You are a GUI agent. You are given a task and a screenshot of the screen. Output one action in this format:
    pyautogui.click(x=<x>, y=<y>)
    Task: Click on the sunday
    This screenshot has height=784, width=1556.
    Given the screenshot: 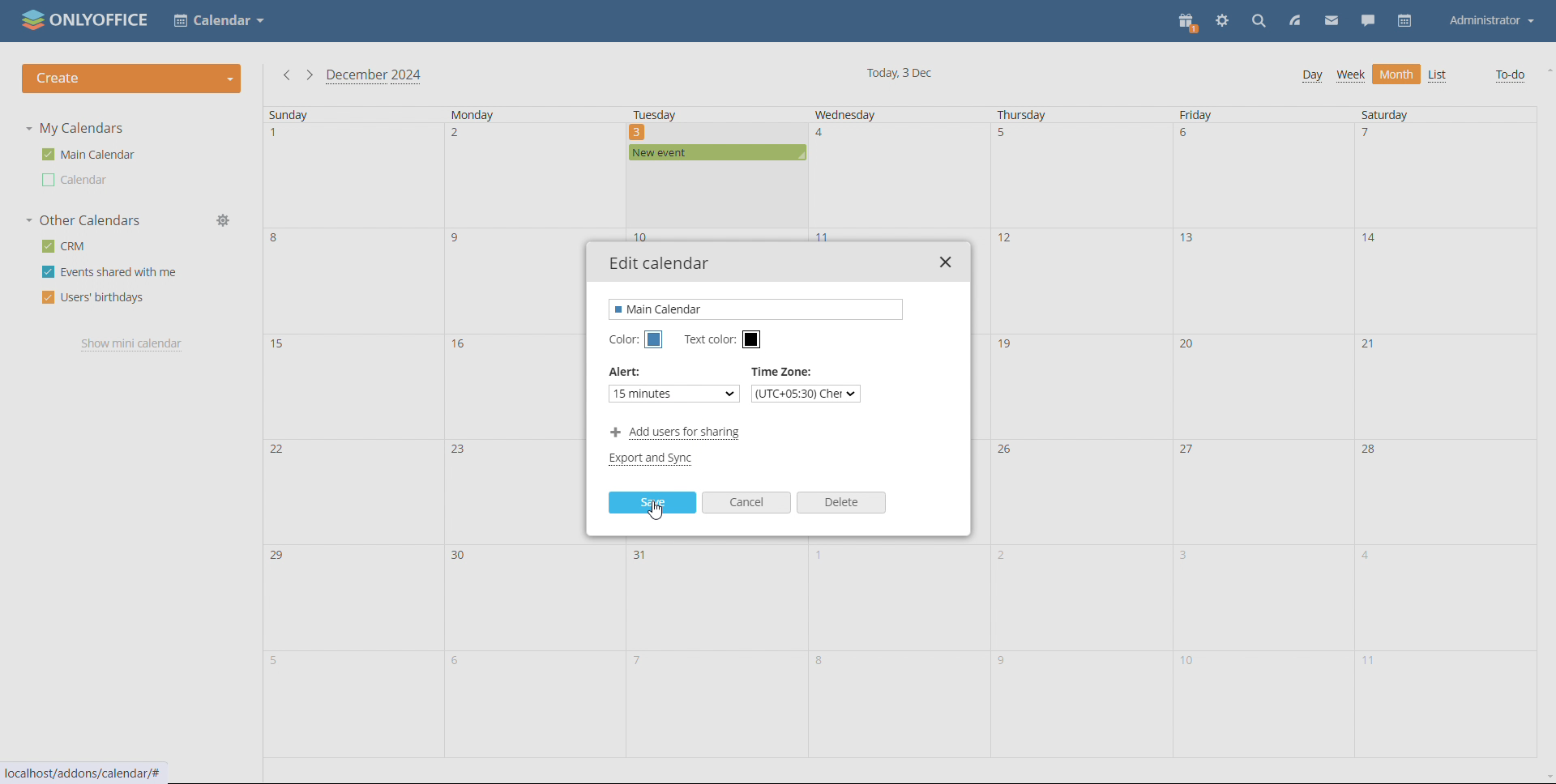 What is the action you would take?
    pyautogui.click(x=337, y=115)
    